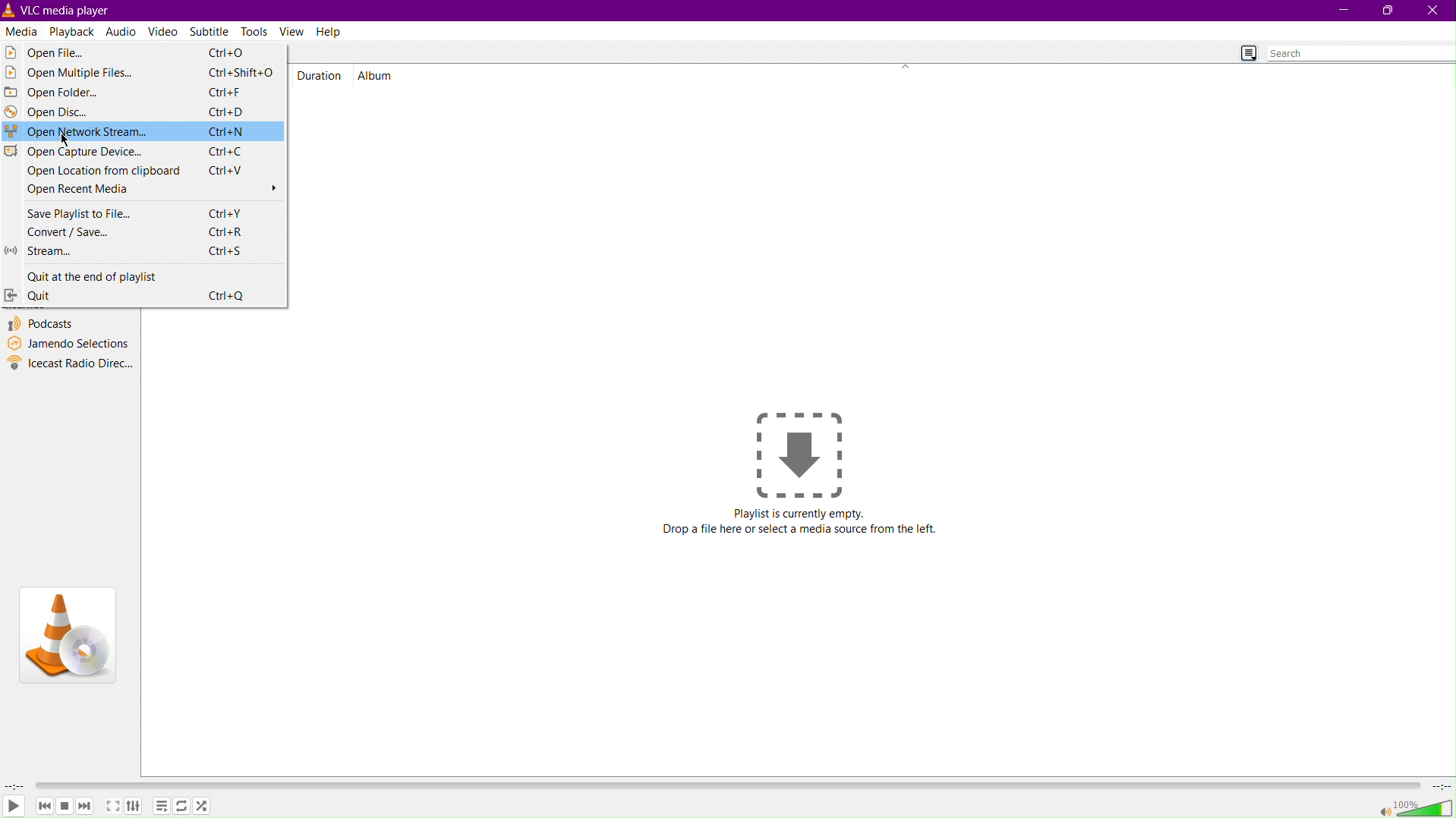  Describe the element at coordinates (69, 232) in the screenshot. I see `Convert/Save` at that location.